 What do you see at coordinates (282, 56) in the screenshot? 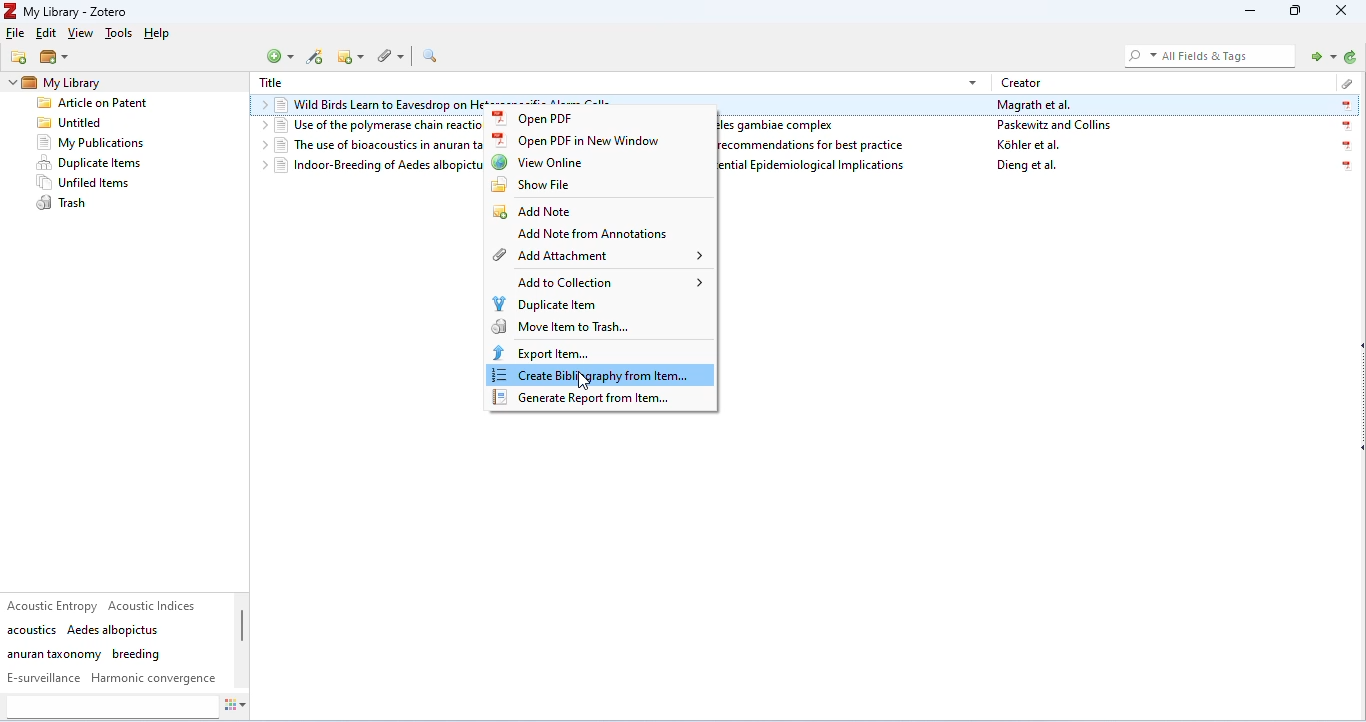
I see `new item` at bounding box center [282, 56].